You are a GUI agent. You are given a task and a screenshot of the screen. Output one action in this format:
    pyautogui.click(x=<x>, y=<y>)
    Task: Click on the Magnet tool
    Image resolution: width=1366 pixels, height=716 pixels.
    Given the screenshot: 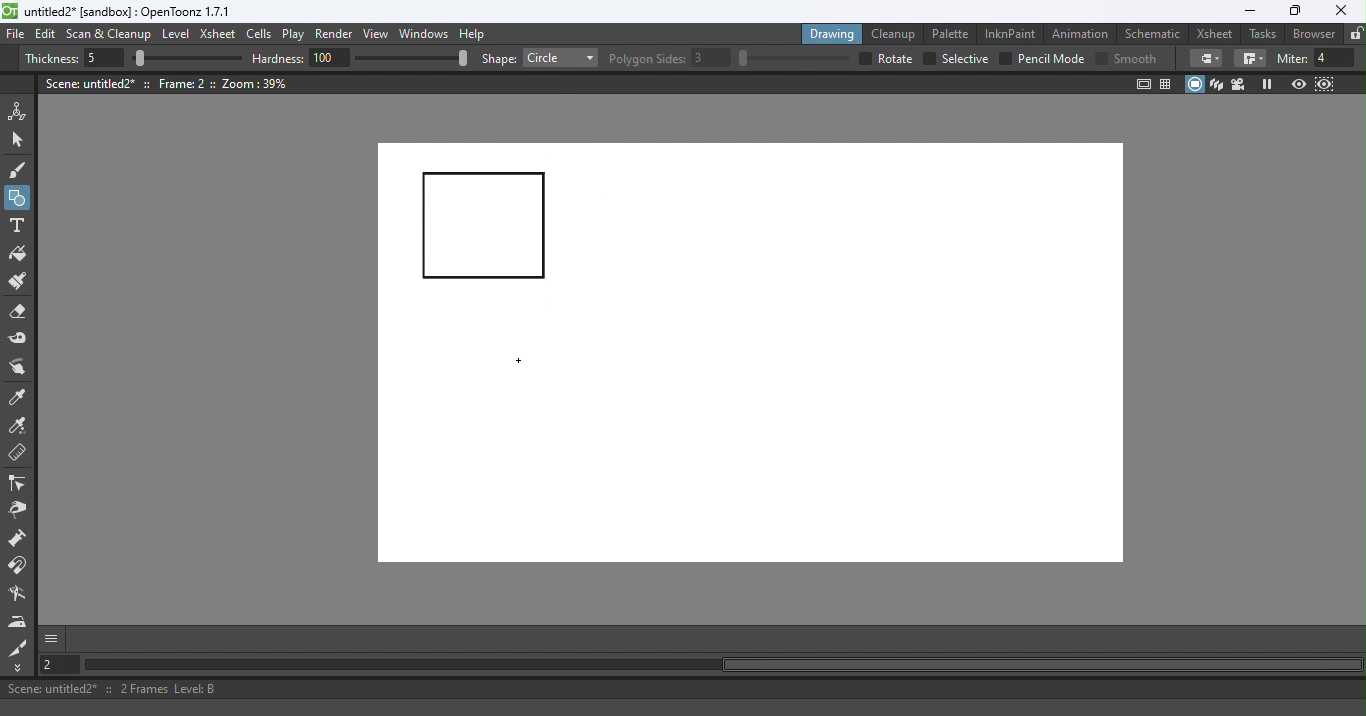 What is the action you would take?
    pyautogui.click(x=19, y=540)
    